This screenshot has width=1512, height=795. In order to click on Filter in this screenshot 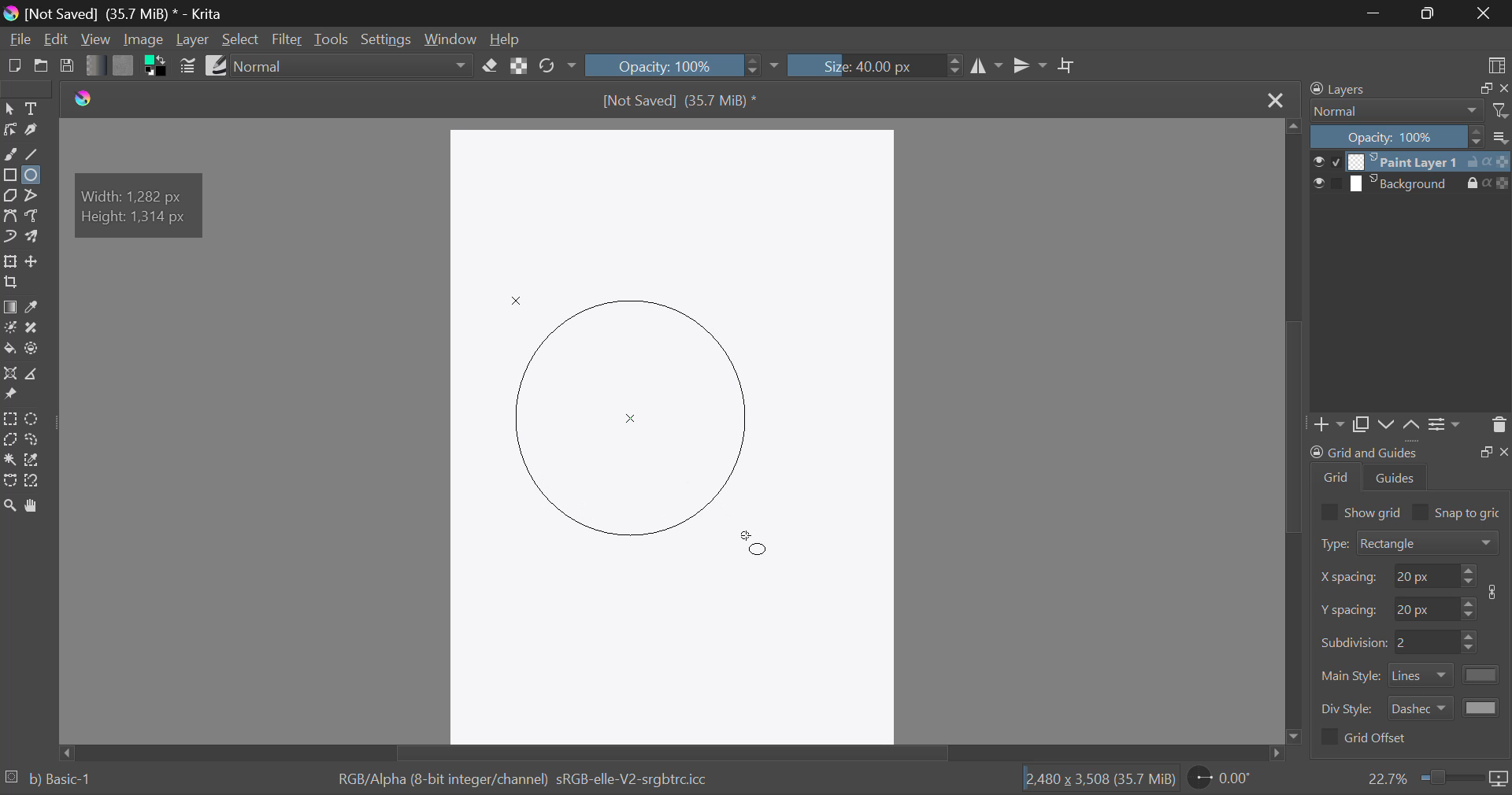, I will do `click(288, 39)`.